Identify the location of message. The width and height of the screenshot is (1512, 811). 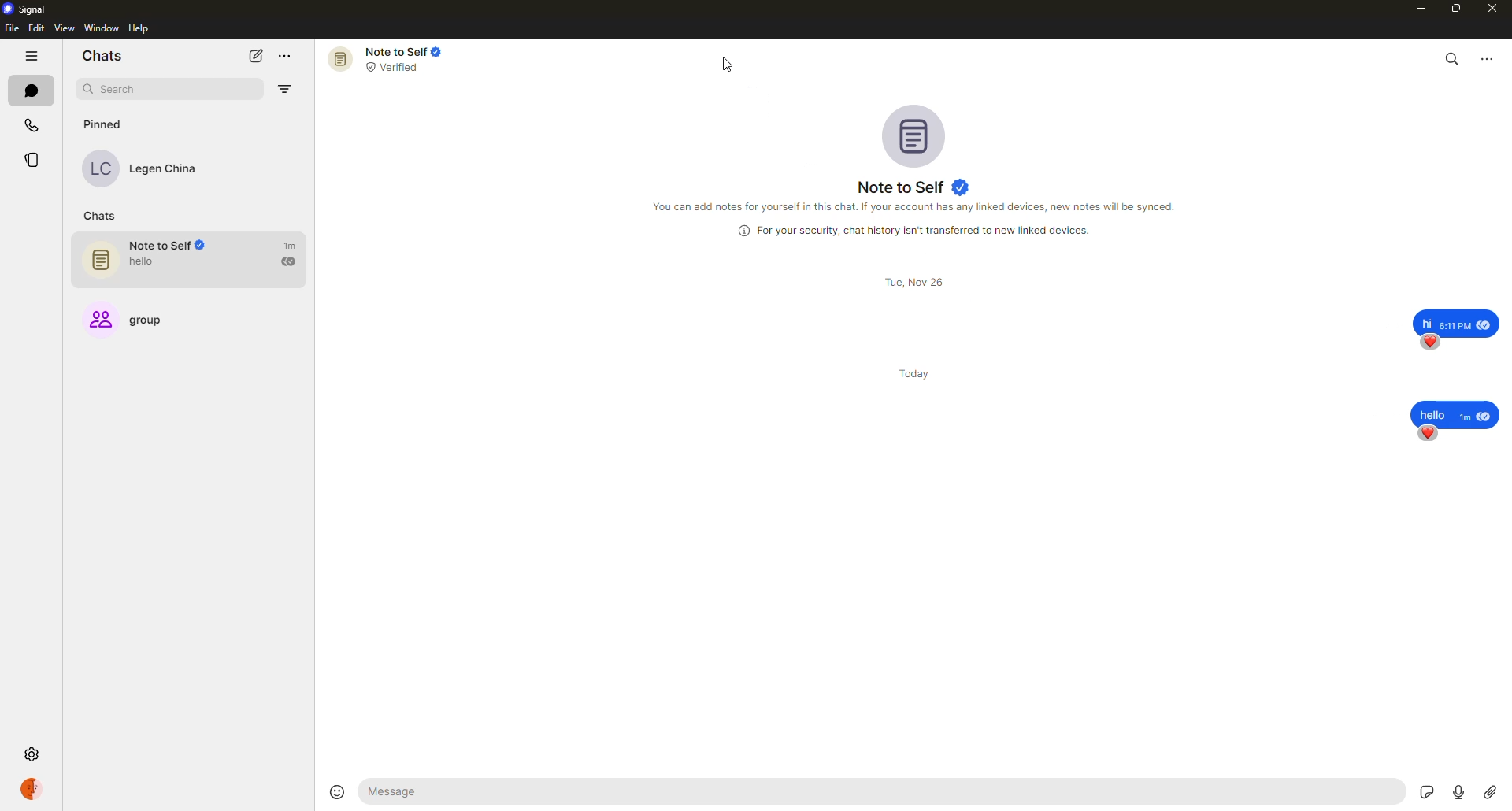
(1455, 408).